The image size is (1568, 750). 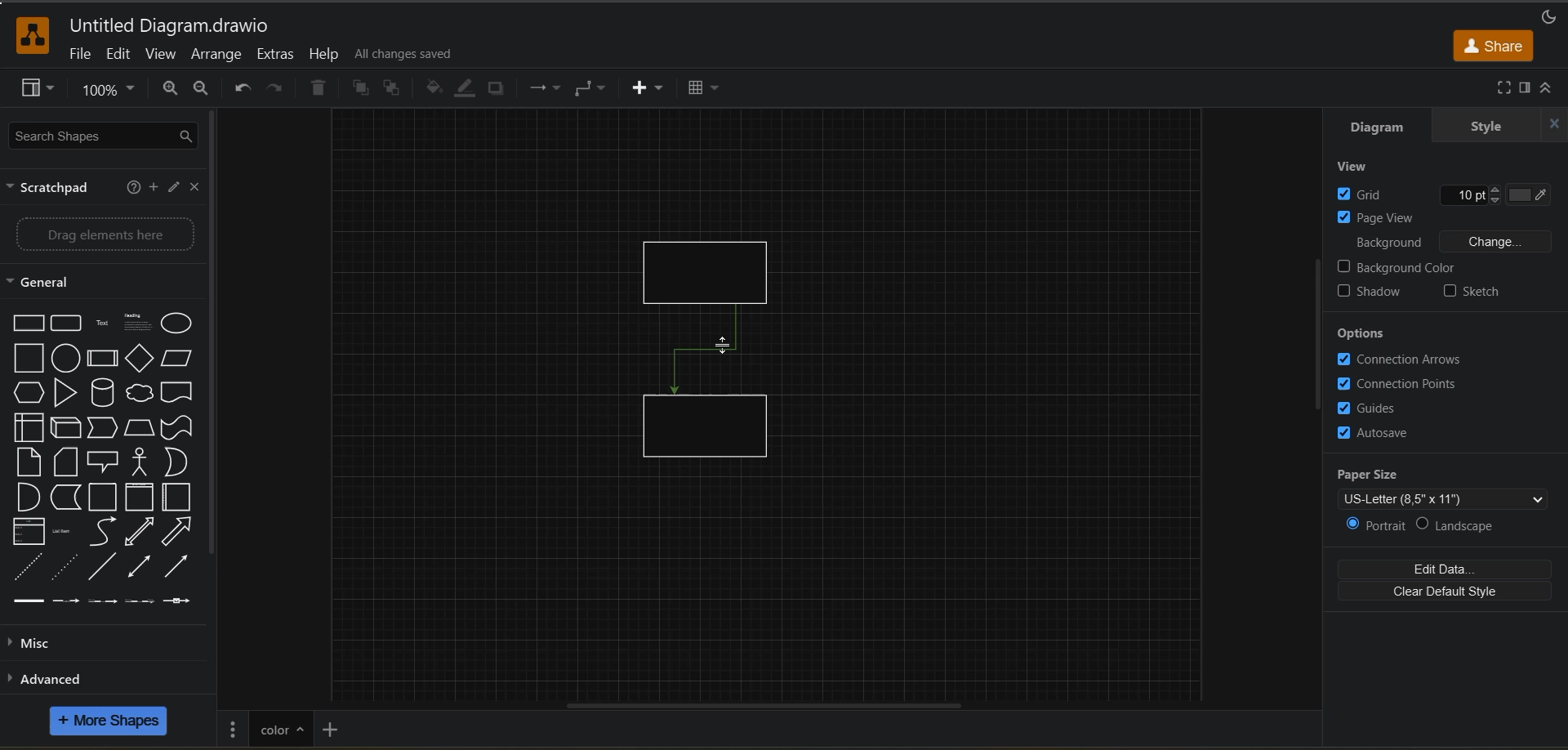 I want to click on view, so click(x=163, y=56).